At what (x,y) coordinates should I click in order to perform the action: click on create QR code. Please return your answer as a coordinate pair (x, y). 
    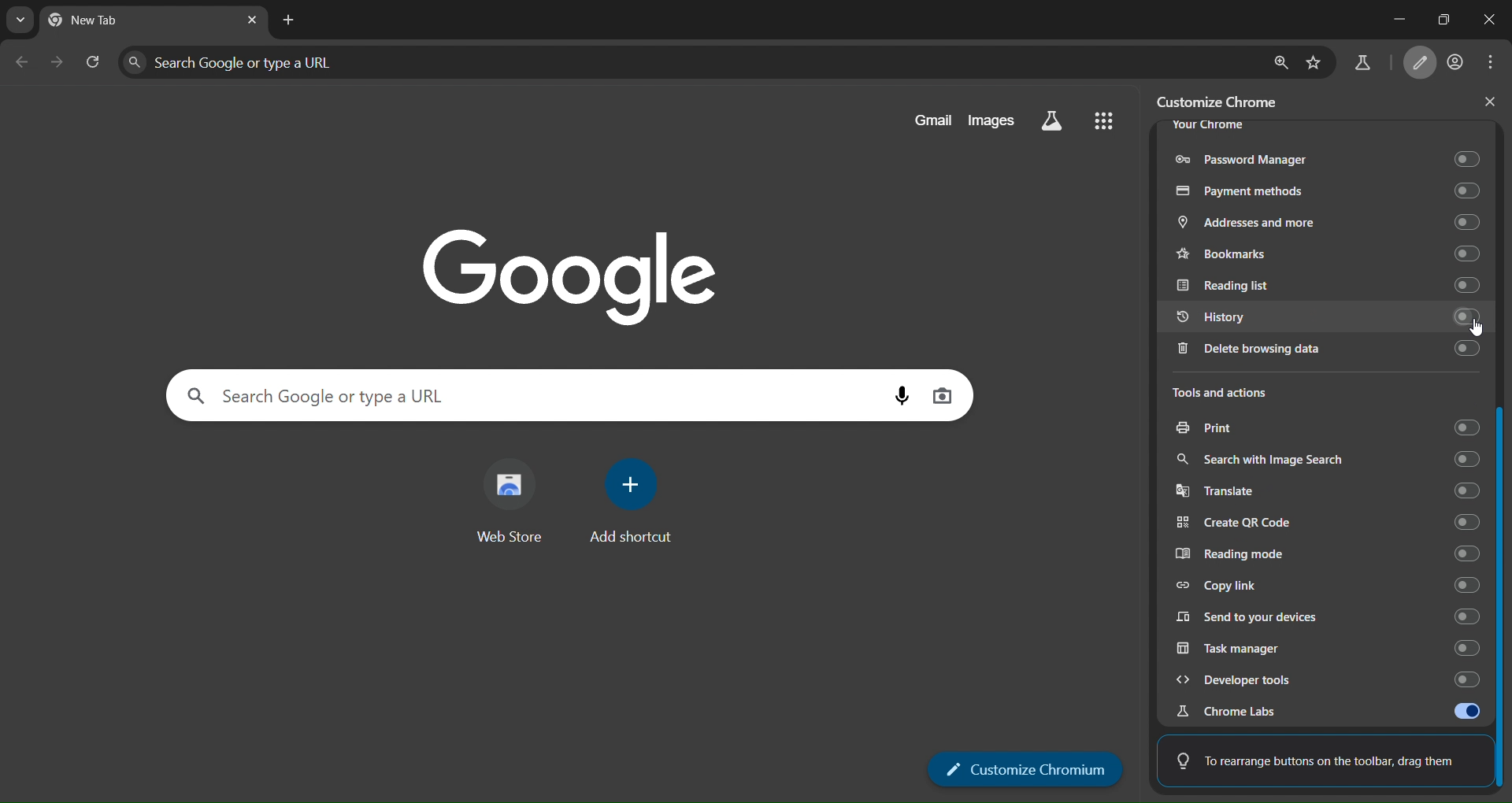
    Looking at the image, I should click on (1329, 523).